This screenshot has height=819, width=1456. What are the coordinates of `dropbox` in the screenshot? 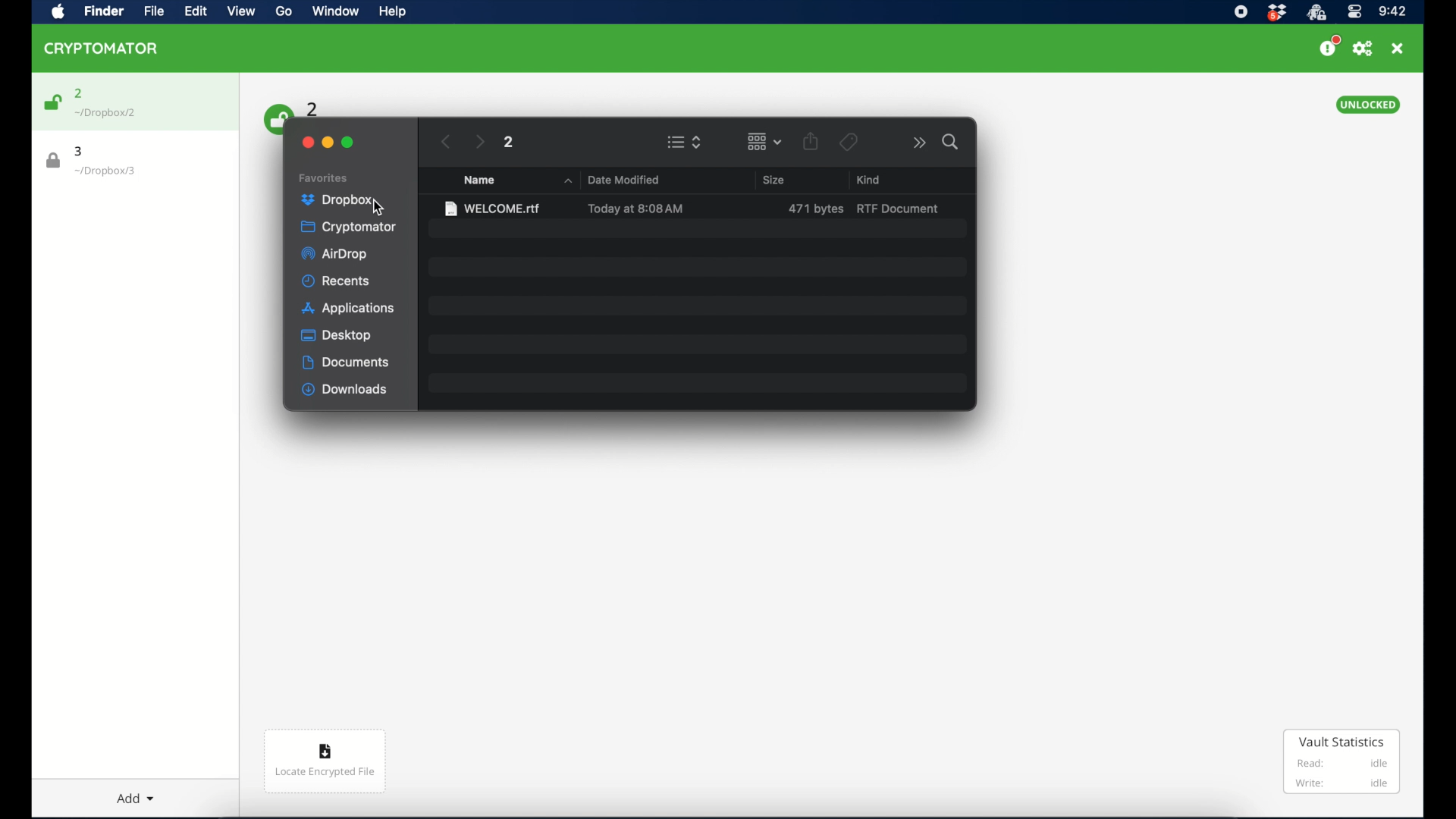 It's located at (337, 200).